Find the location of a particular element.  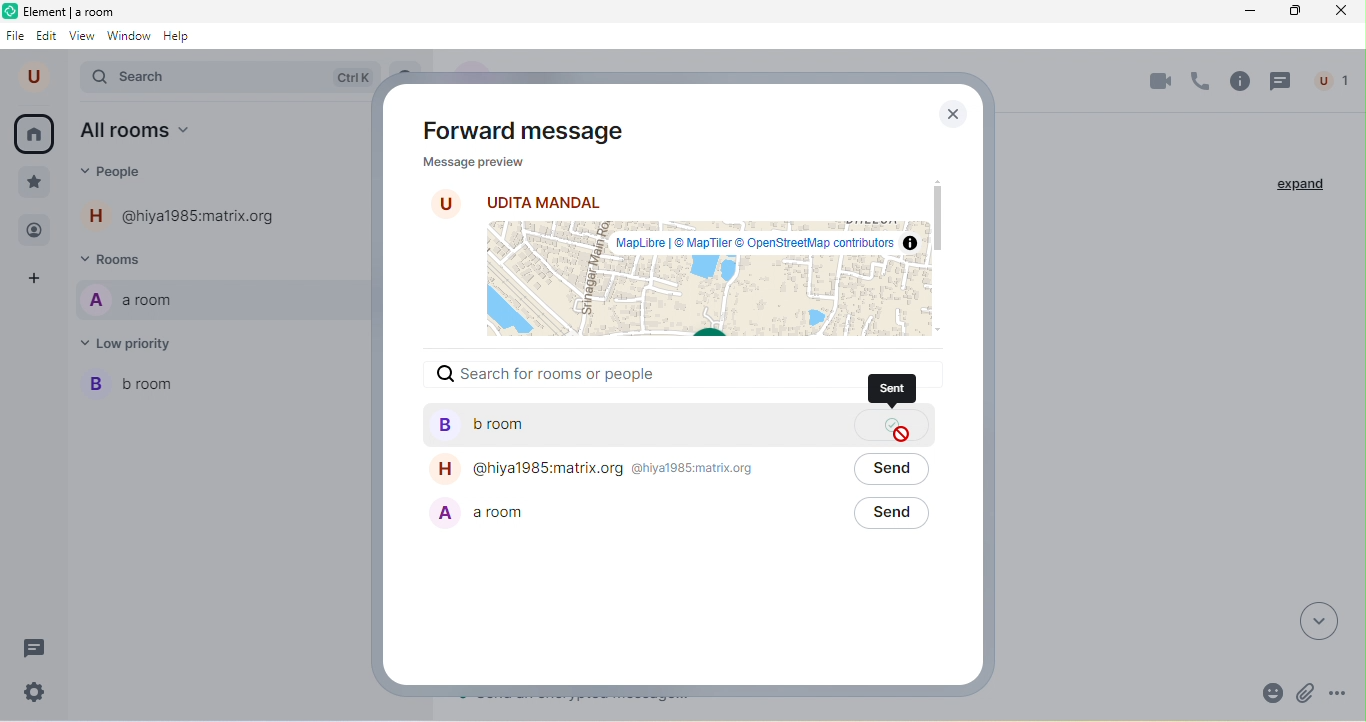

verticals scroll bar is located at coordinates (938, 242).